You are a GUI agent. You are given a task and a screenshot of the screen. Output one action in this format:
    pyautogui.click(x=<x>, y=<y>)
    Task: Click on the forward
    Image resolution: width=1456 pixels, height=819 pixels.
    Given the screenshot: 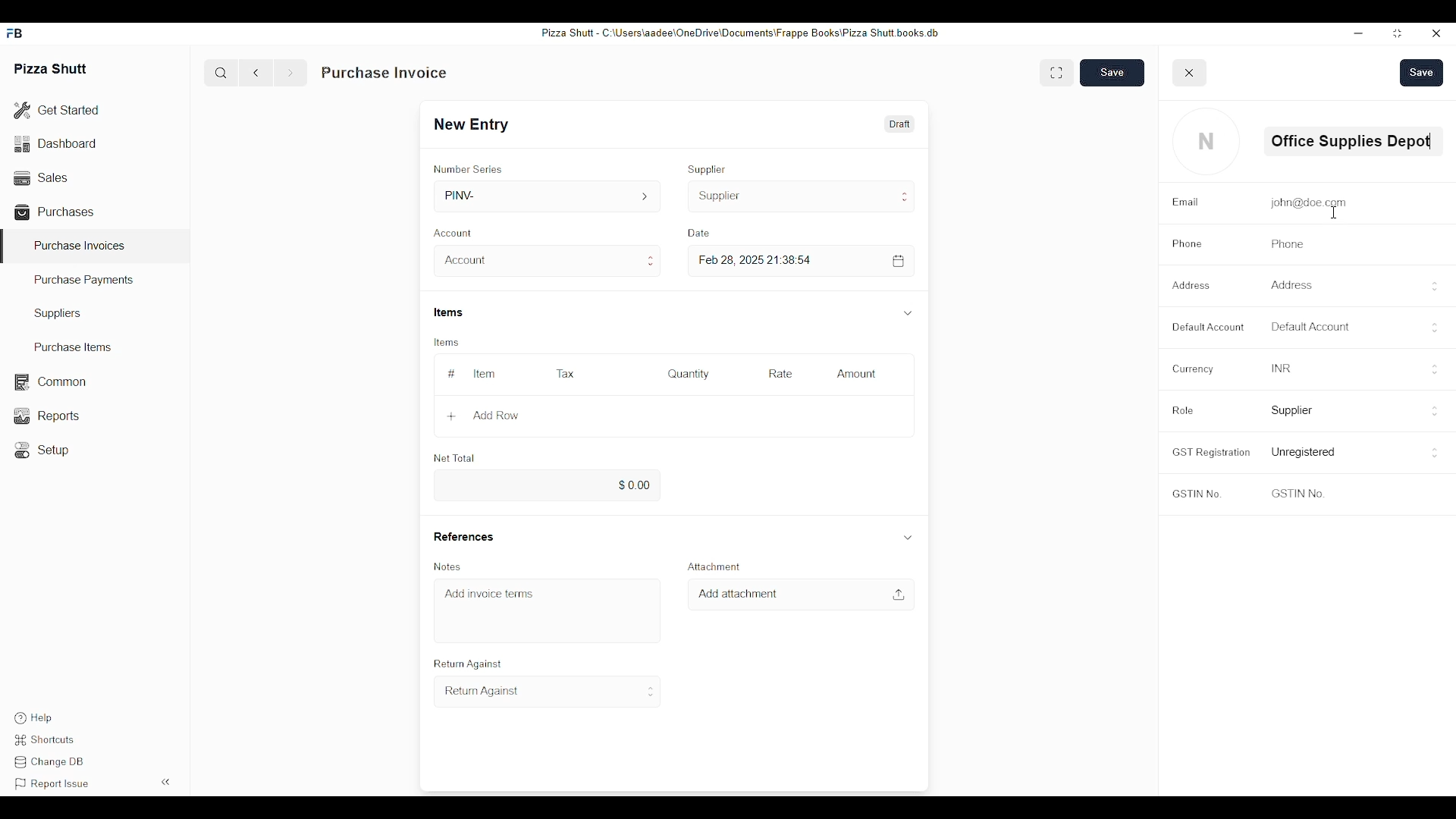 What is the action you would take?
    pyautogui.click(x=290, y=73)
    